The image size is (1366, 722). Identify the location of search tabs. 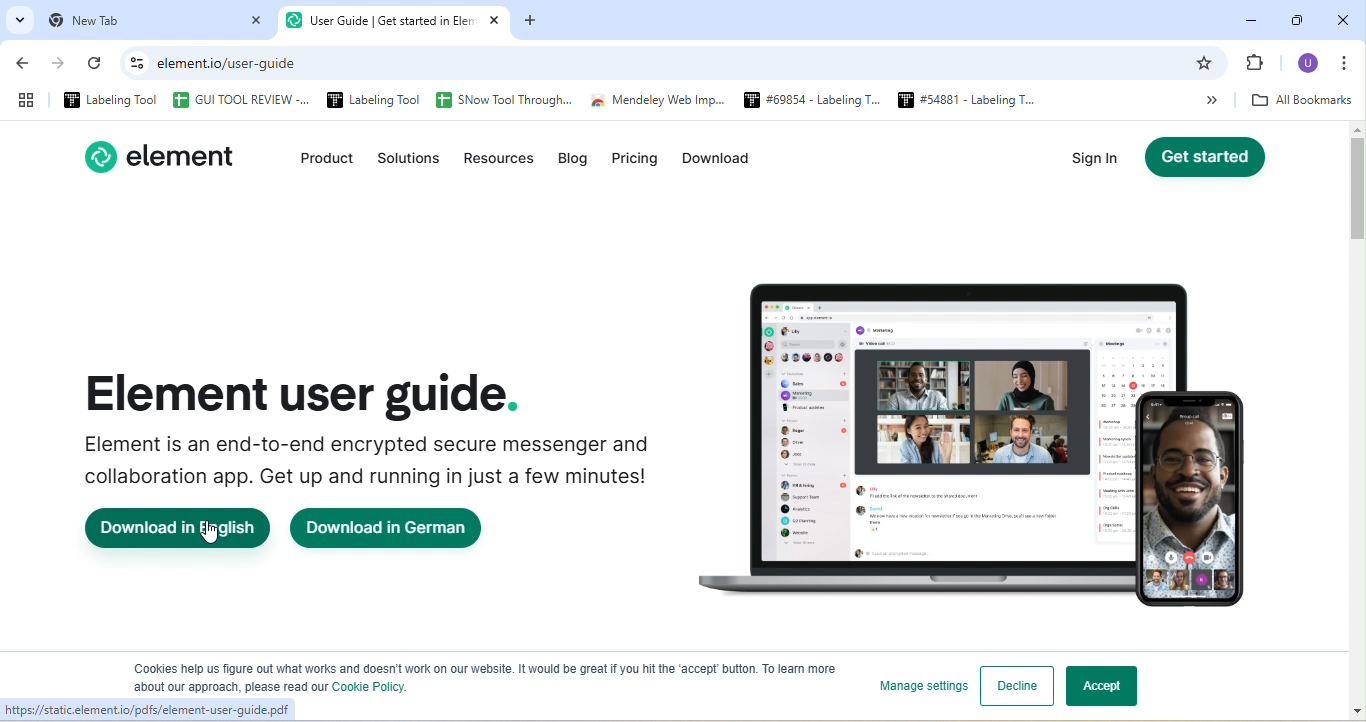
(20, 21).